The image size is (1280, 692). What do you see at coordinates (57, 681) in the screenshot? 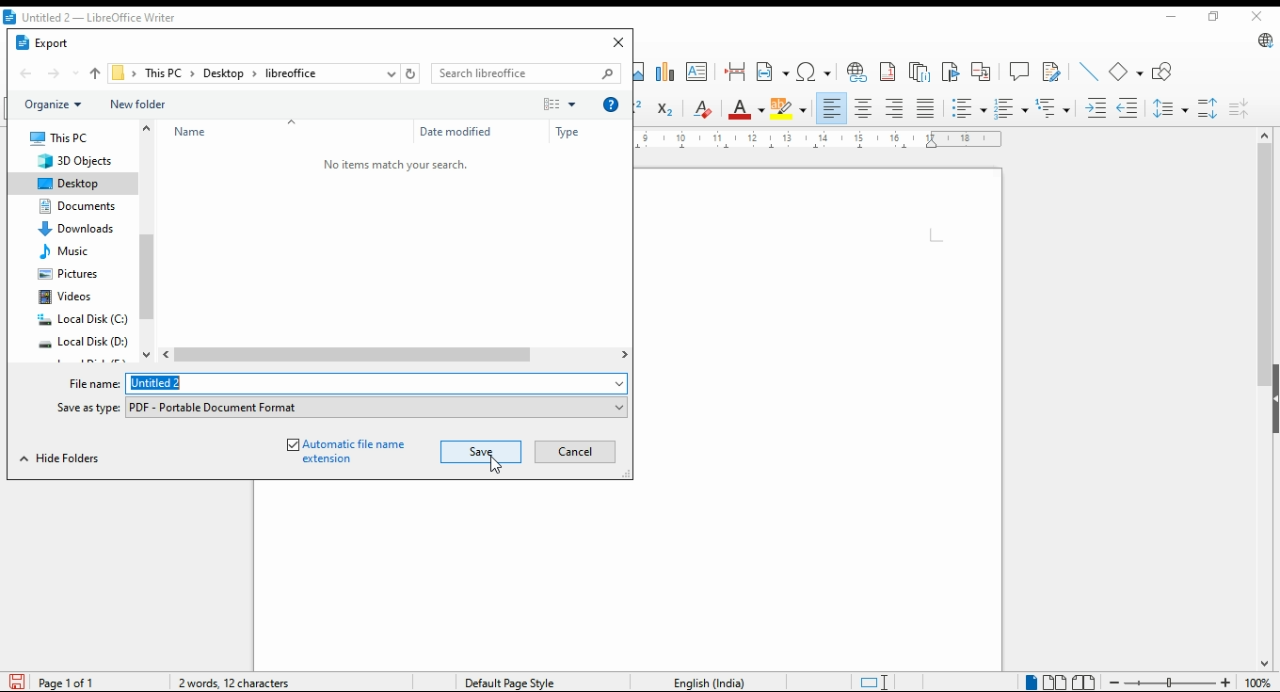
I see `page information` at bounding box center [57, 681].